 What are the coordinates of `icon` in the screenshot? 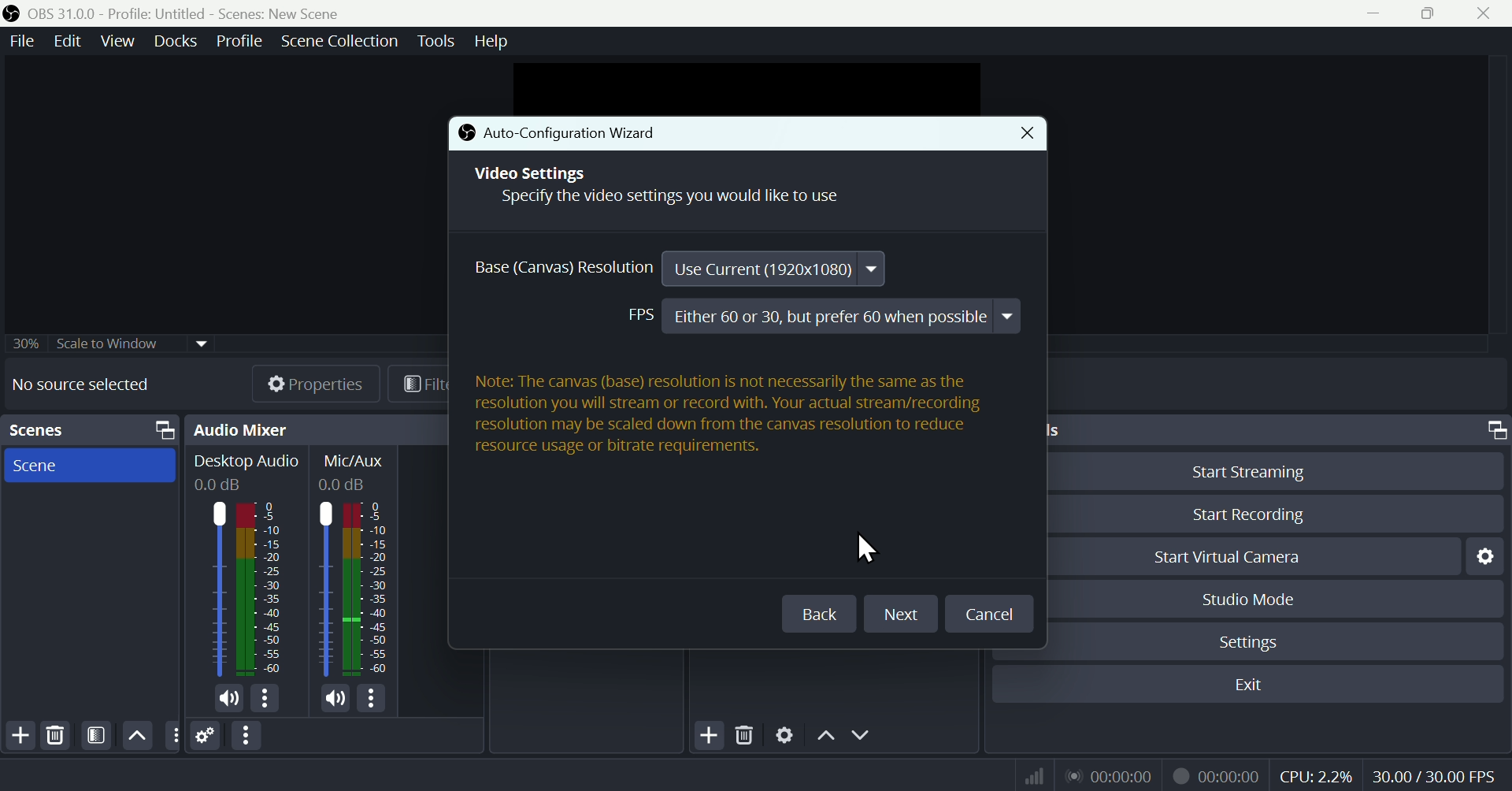 It's located at (13, 14).